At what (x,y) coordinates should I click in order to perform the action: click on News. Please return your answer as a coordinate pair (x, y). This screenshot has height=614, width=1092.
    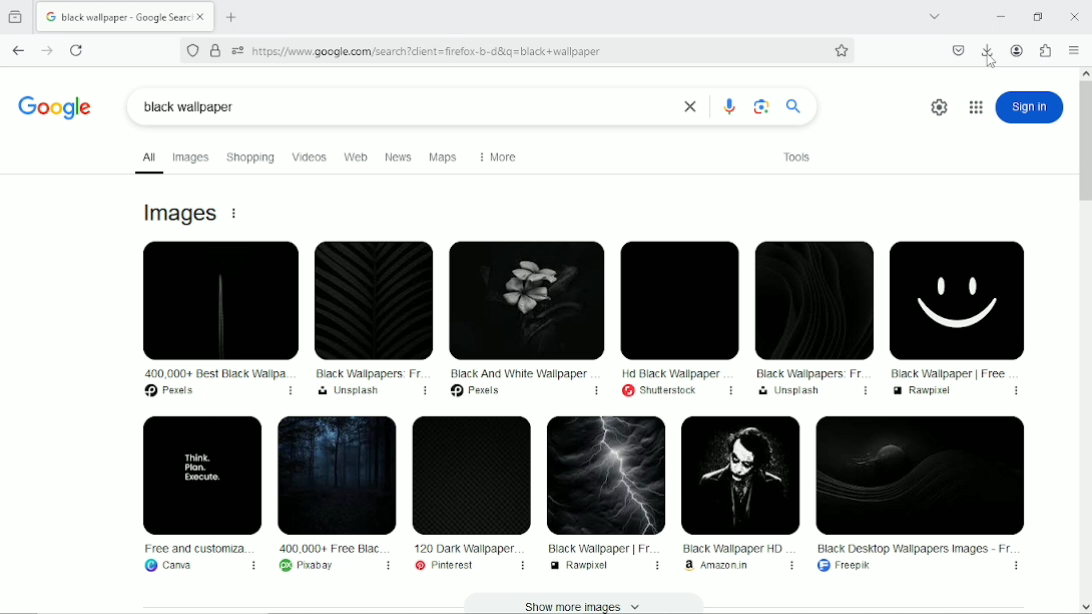
    Looking at the image, I should click on (396, 156).